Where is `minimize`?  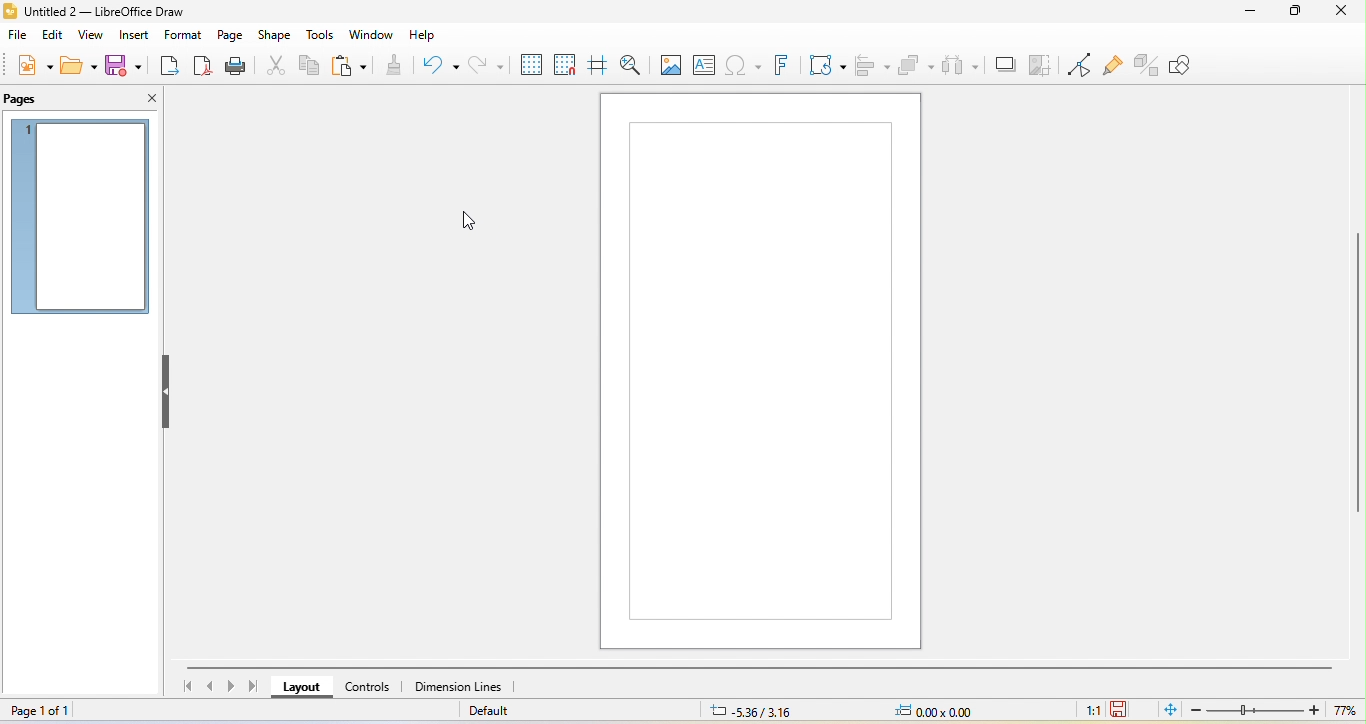
minimize is located at coordinates (1251, 10).